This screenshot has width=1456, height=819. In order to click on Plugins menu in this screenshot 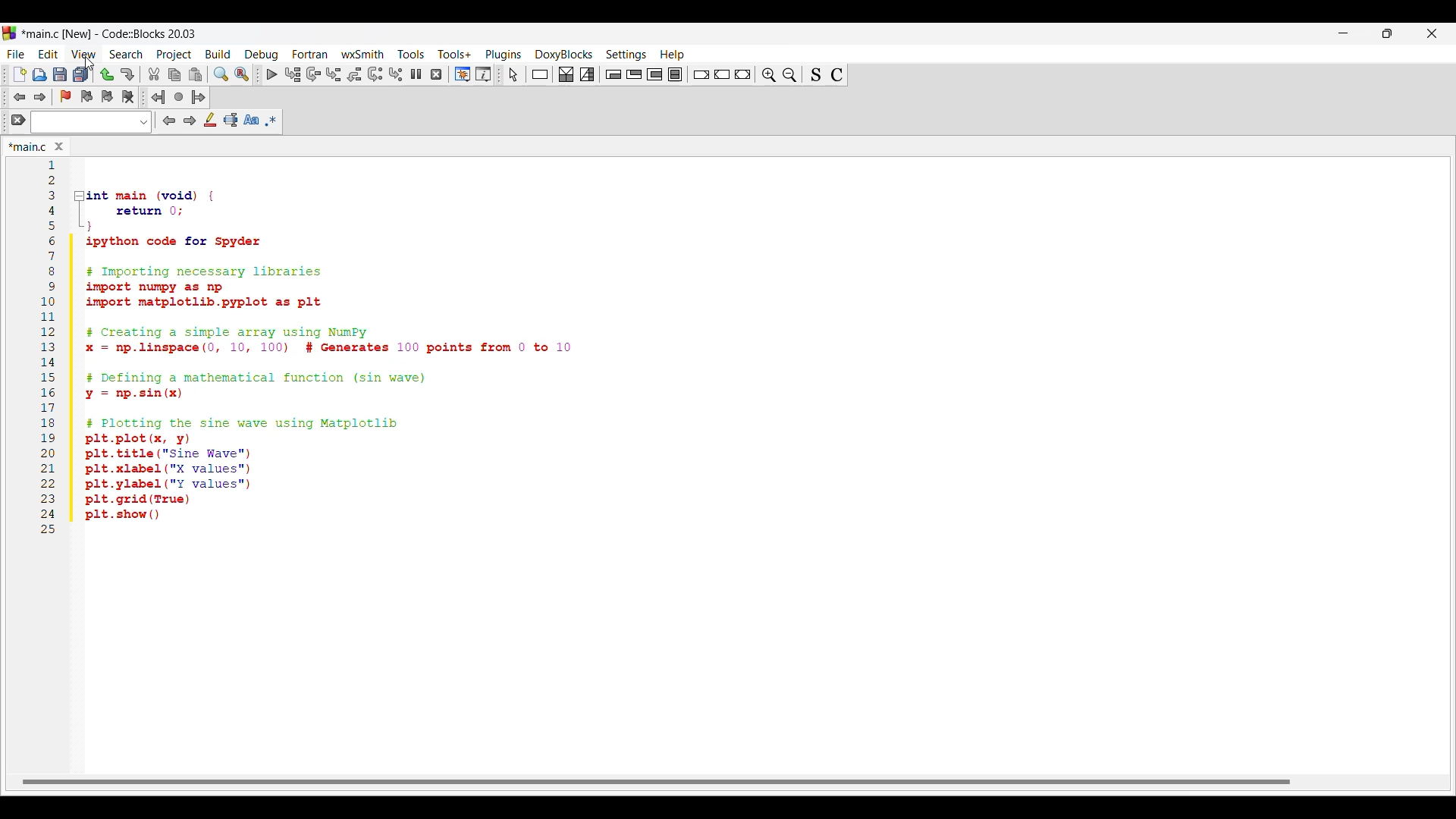, I will do `click(504, 55)`.